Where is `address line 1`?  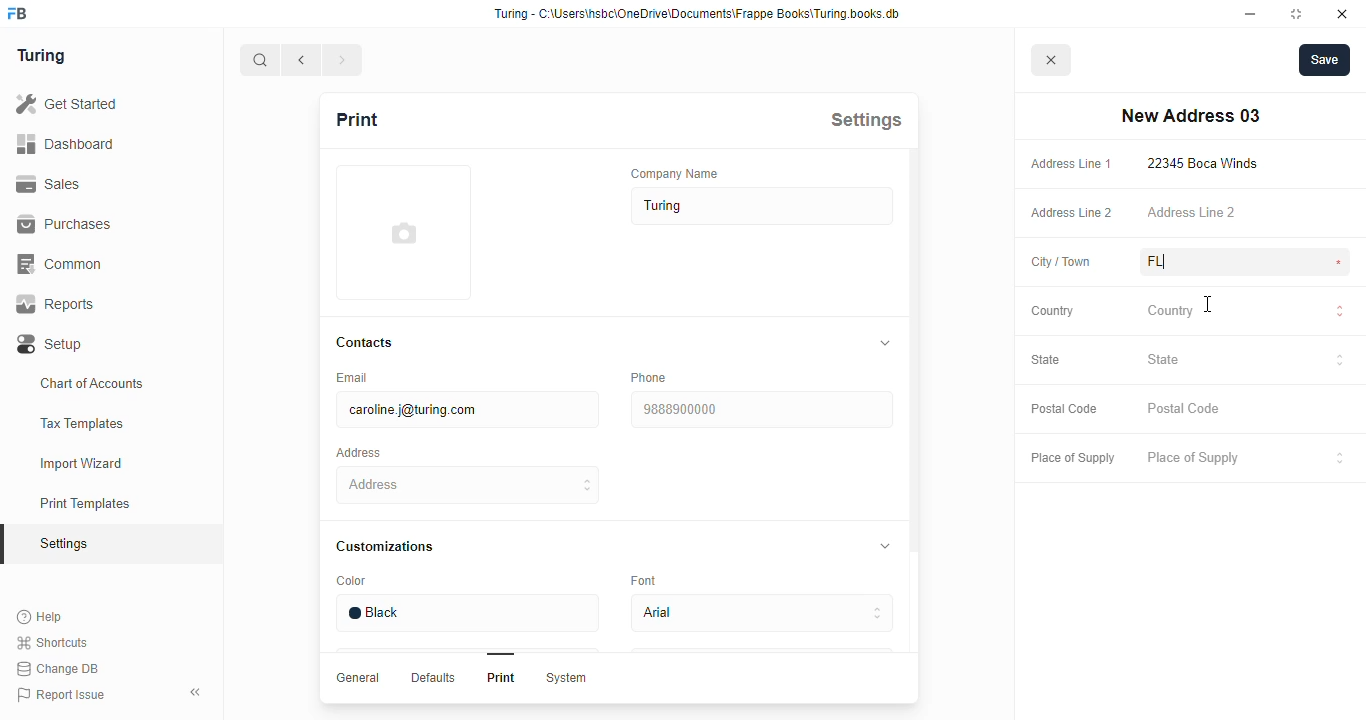 address line 1 is located at coordinates (1071, 164).